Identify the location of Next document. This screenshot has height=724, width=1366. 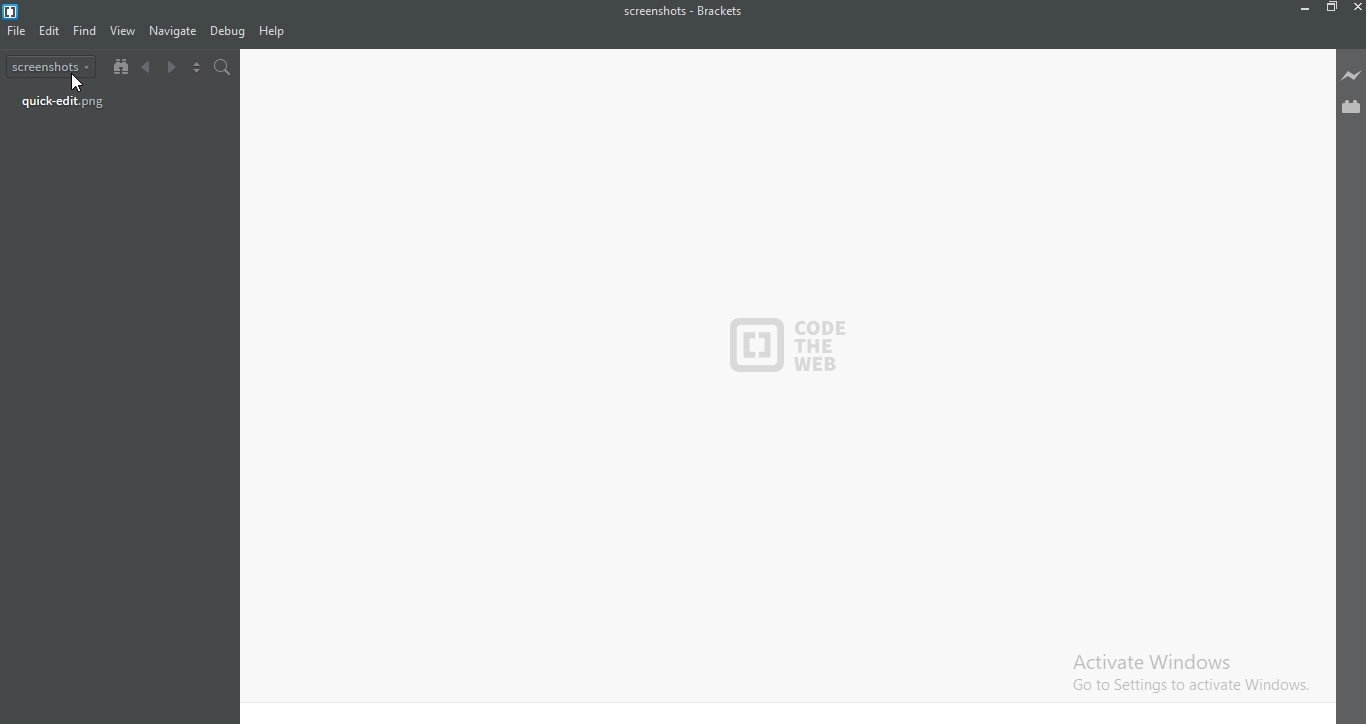
(171, 68).